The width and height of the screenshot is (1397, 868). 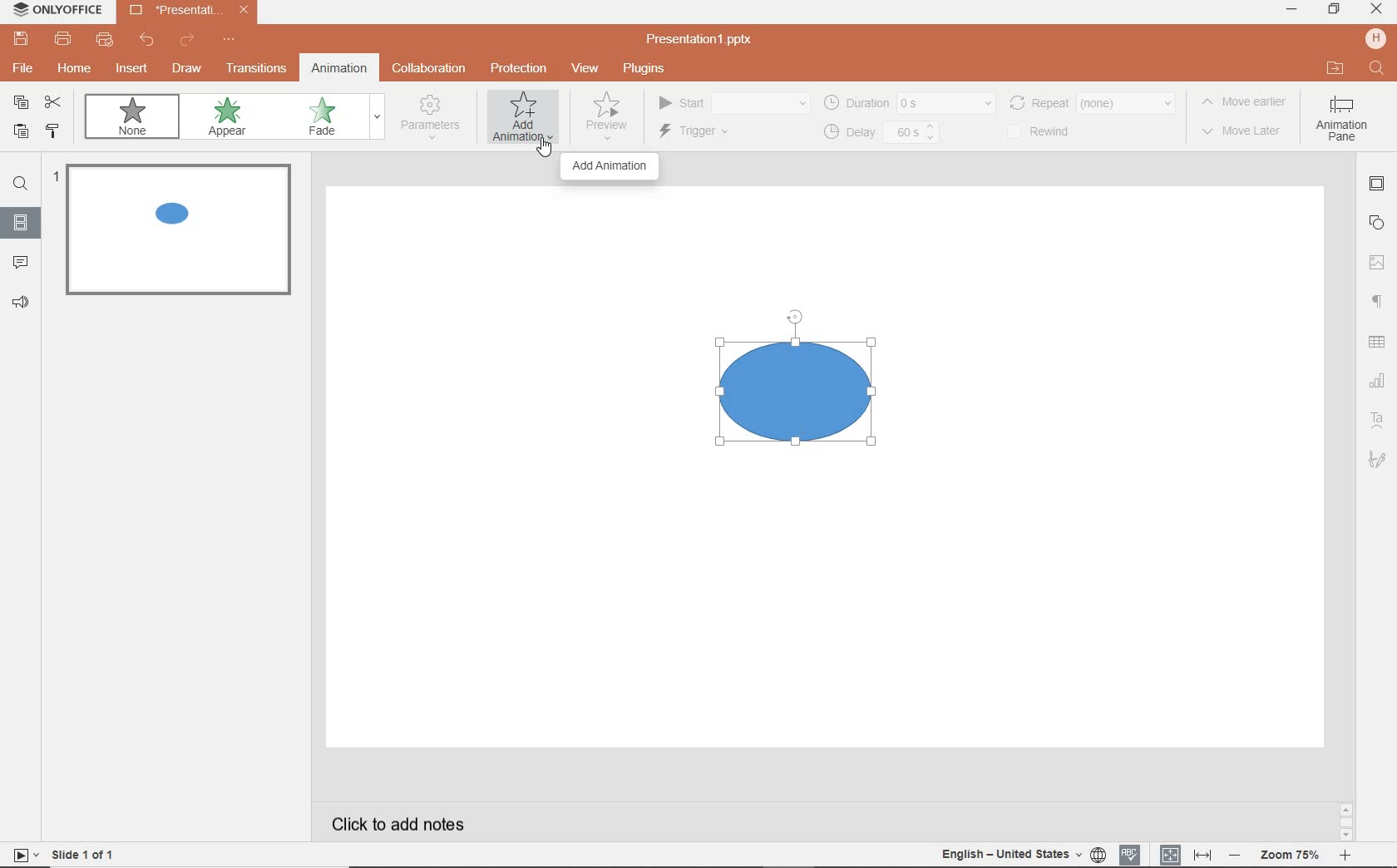 What do you see at coordinates (1335, 69) in the screenshot?
I see `OPEN FILE LOCATION` at bounding box center [1335, 69].